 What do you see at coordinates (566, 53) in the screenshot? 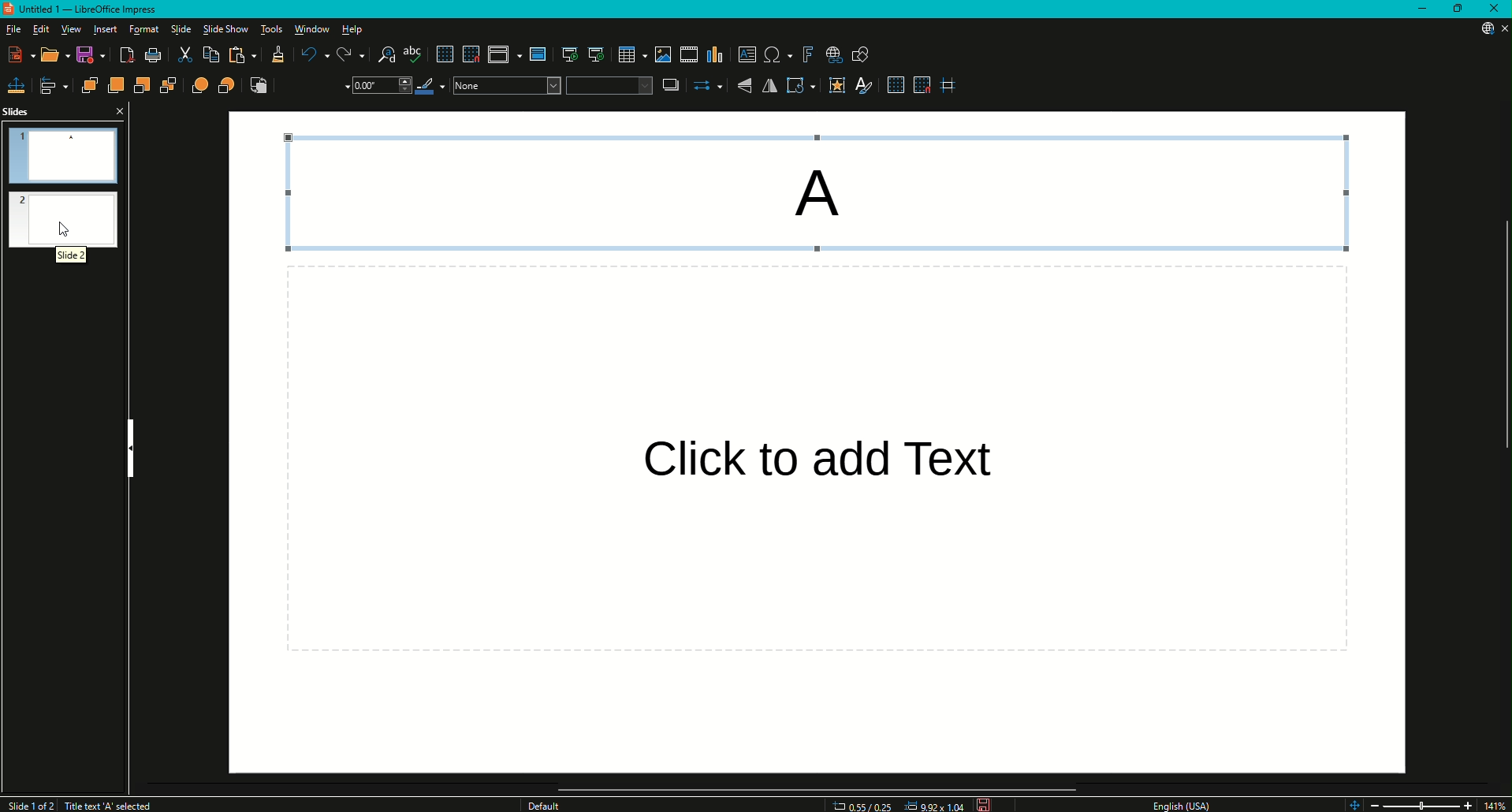
I see `Start from first slide` at bounding box center [566, 53].